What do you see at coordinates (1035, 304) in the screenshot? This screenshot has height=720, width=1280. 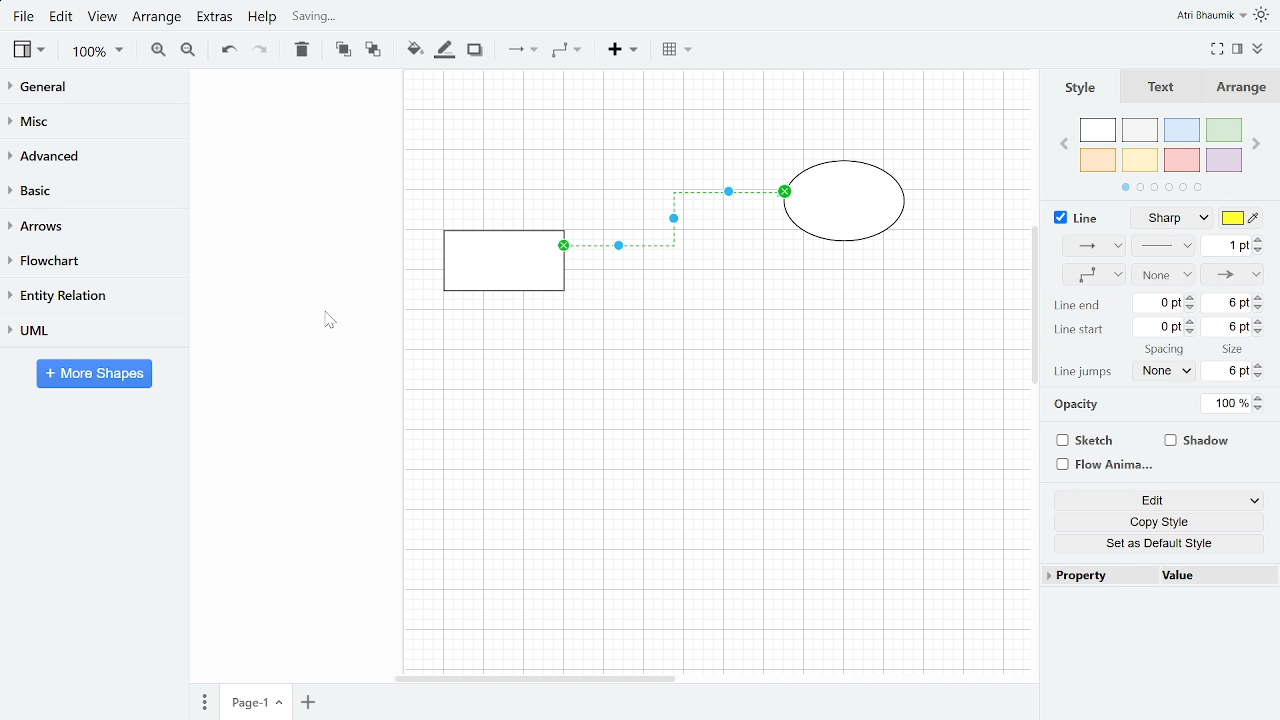 I see `Vertical scrollbar` at bounding box center [1035, 304].